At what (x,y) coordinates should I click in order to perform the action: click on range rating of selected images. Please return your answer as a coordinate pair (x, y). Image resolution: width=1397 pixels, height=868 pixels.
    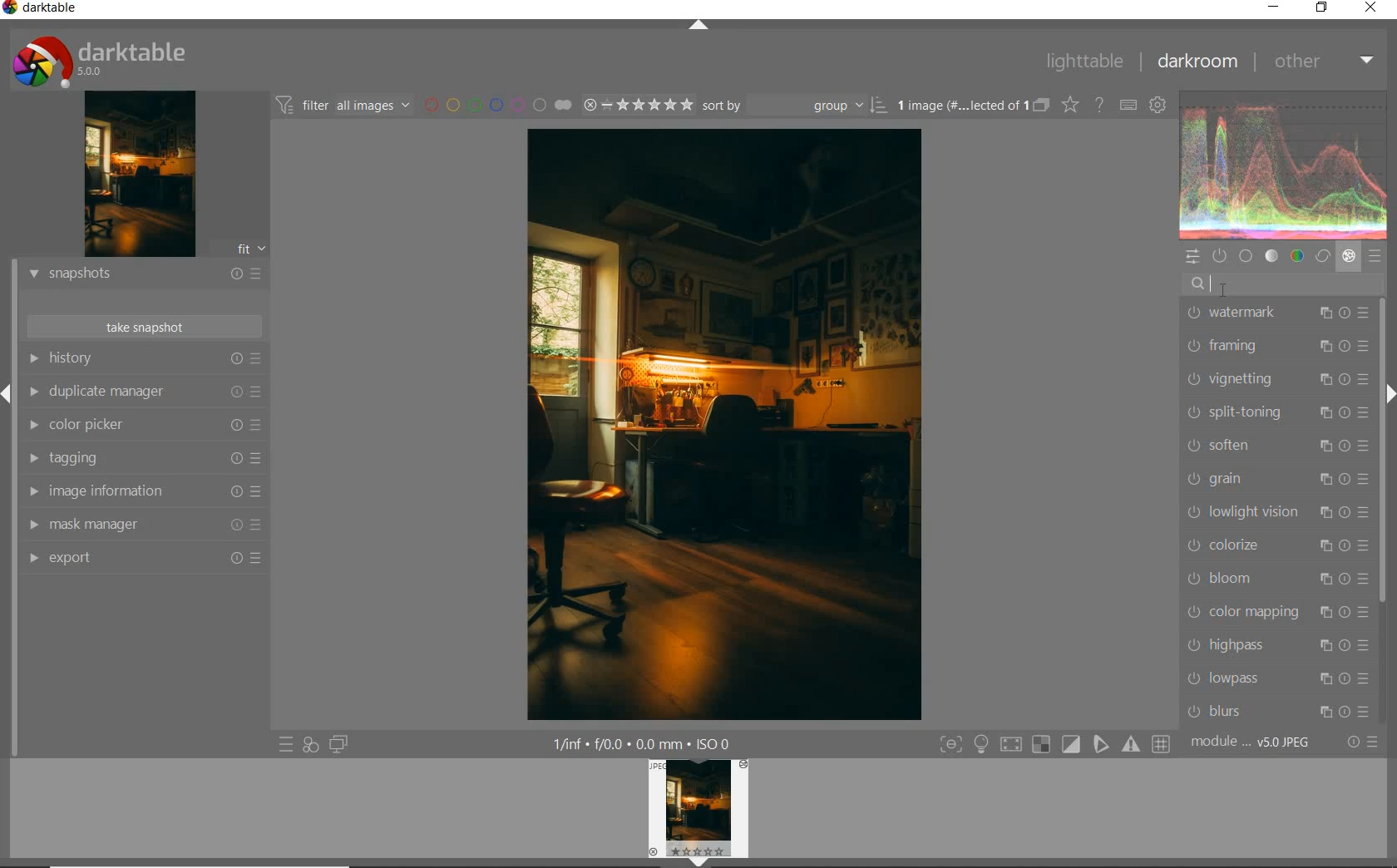
    Looking at the image, I should click on (638, 106).